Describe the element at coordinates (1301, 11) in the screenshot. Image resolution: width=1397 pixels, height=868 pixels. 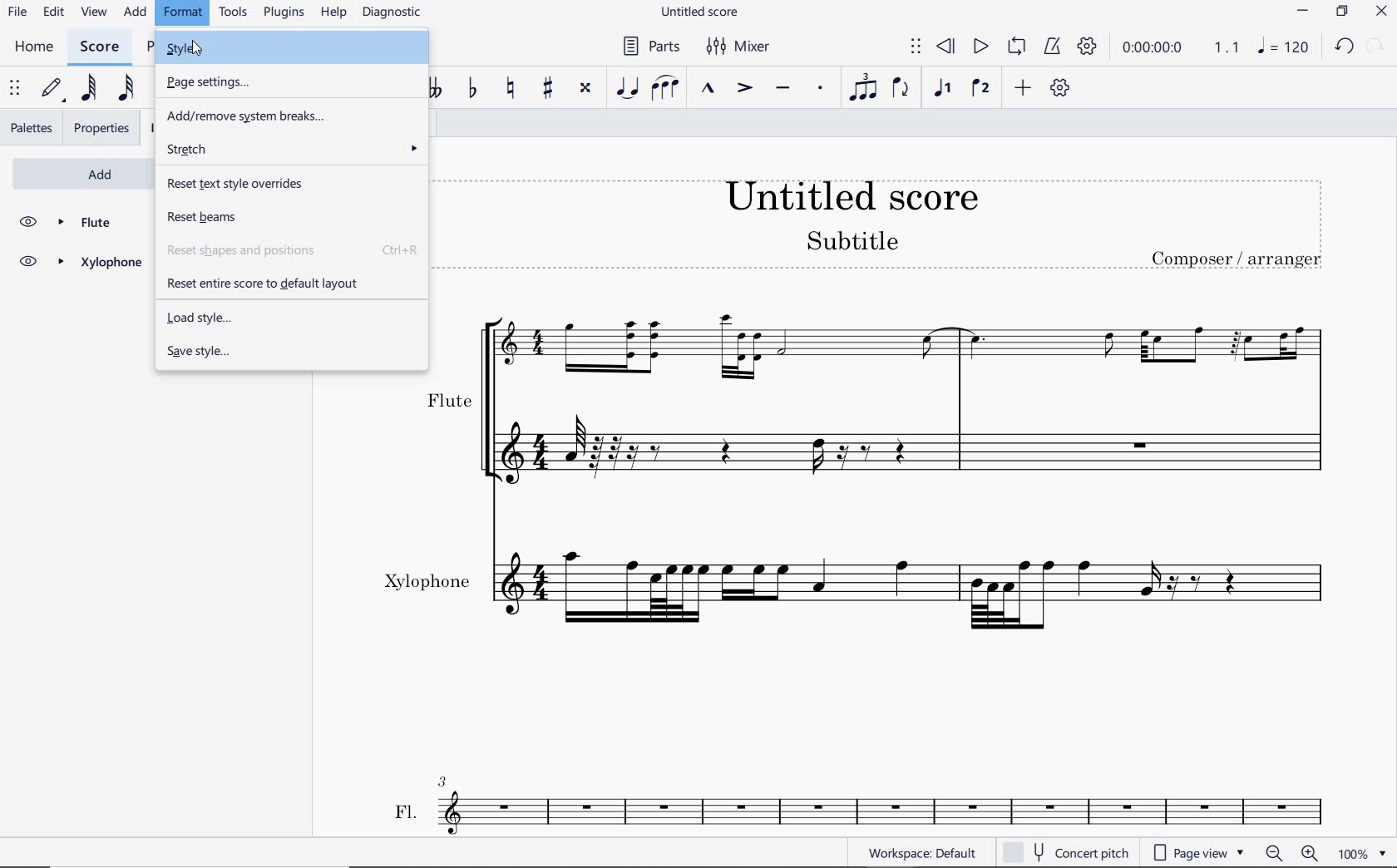
I see `MINIMIZE` at that location.